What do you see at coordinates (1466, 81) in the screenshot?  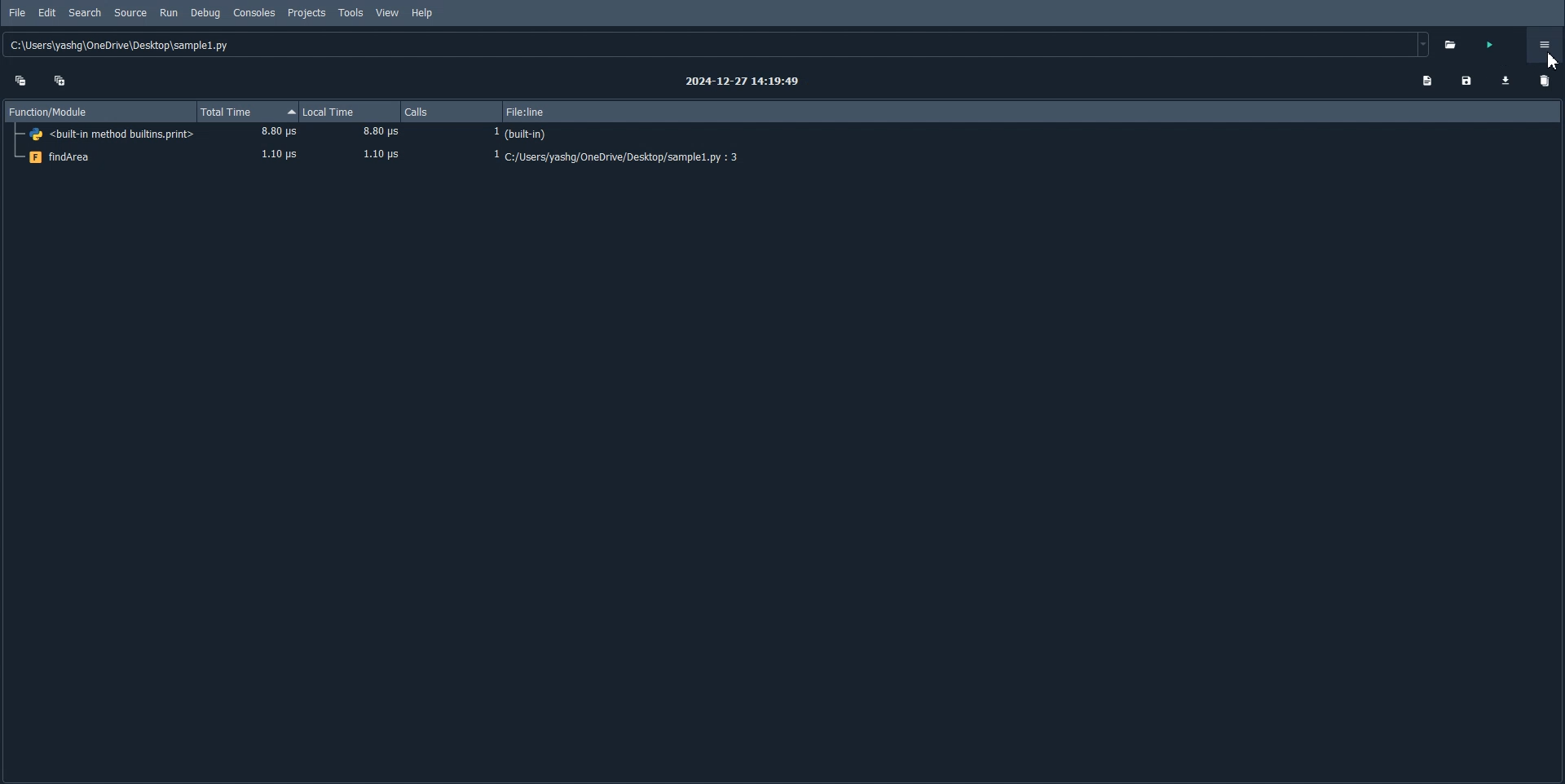 I see `Save profiling data` at bounding box center [1466, 81].